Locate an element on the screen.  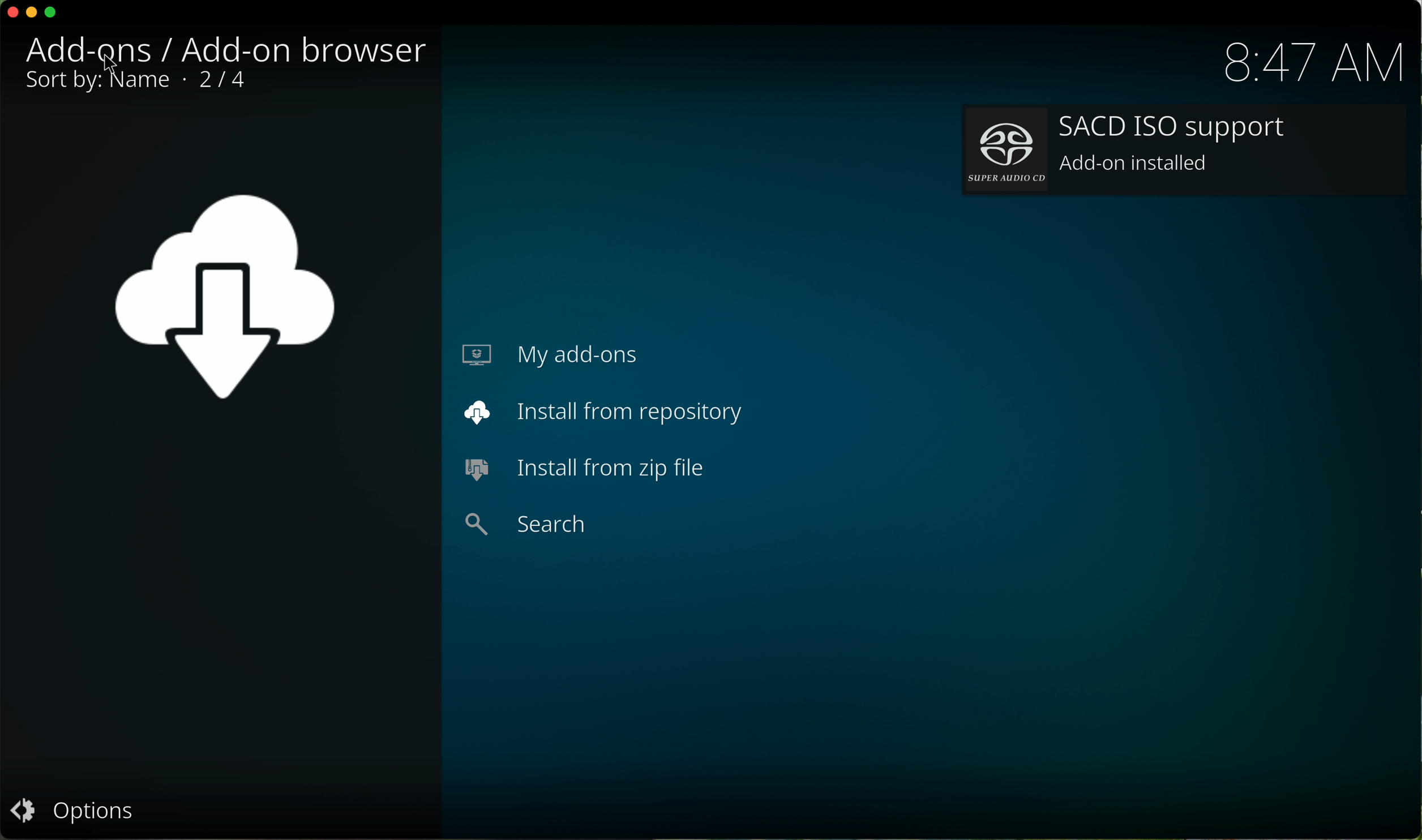
options is located at coordinates (72, 815).